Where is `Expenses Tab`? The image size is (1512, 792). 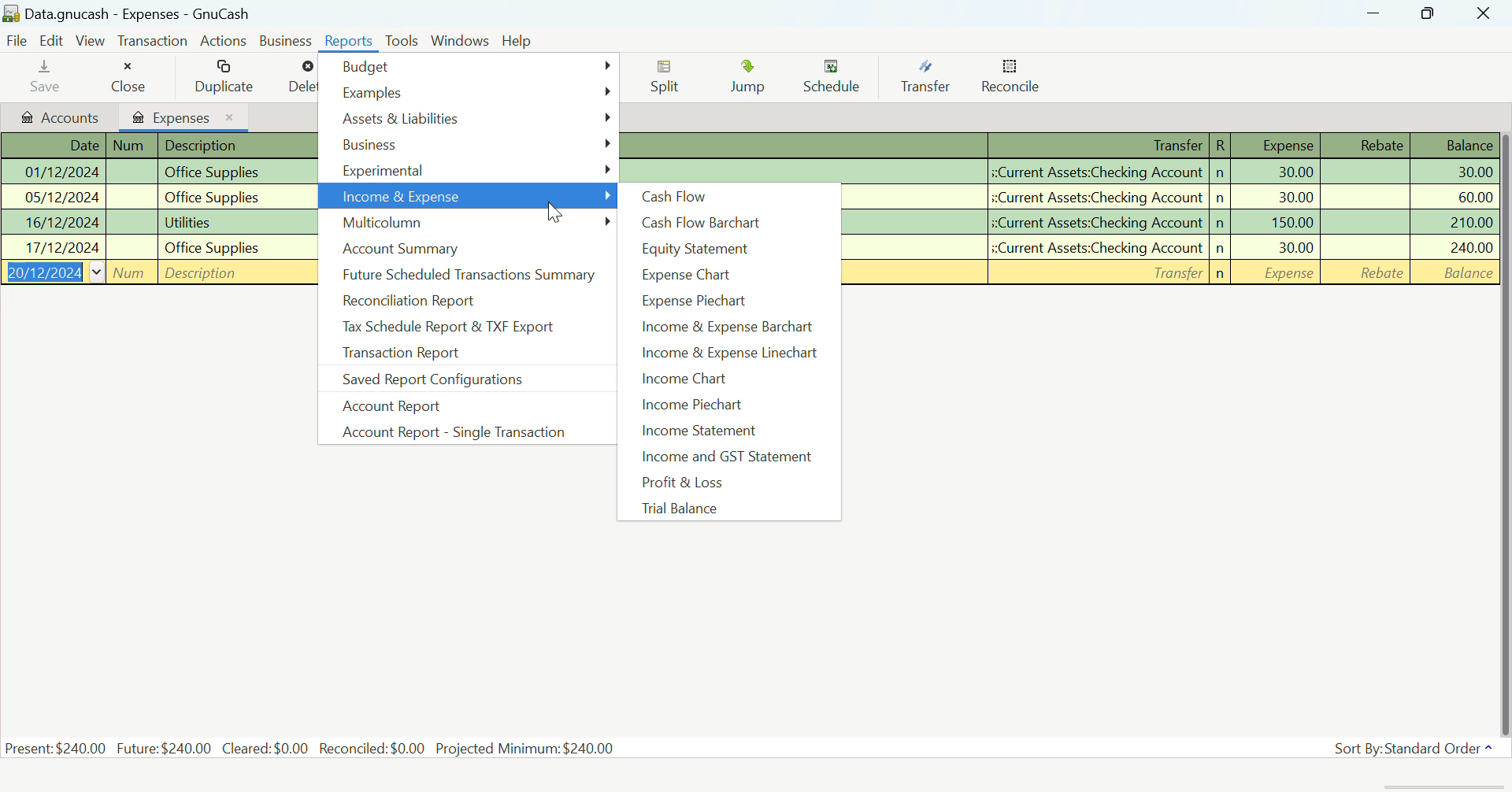
Expenses Tab is located at coordinates (183, 117).